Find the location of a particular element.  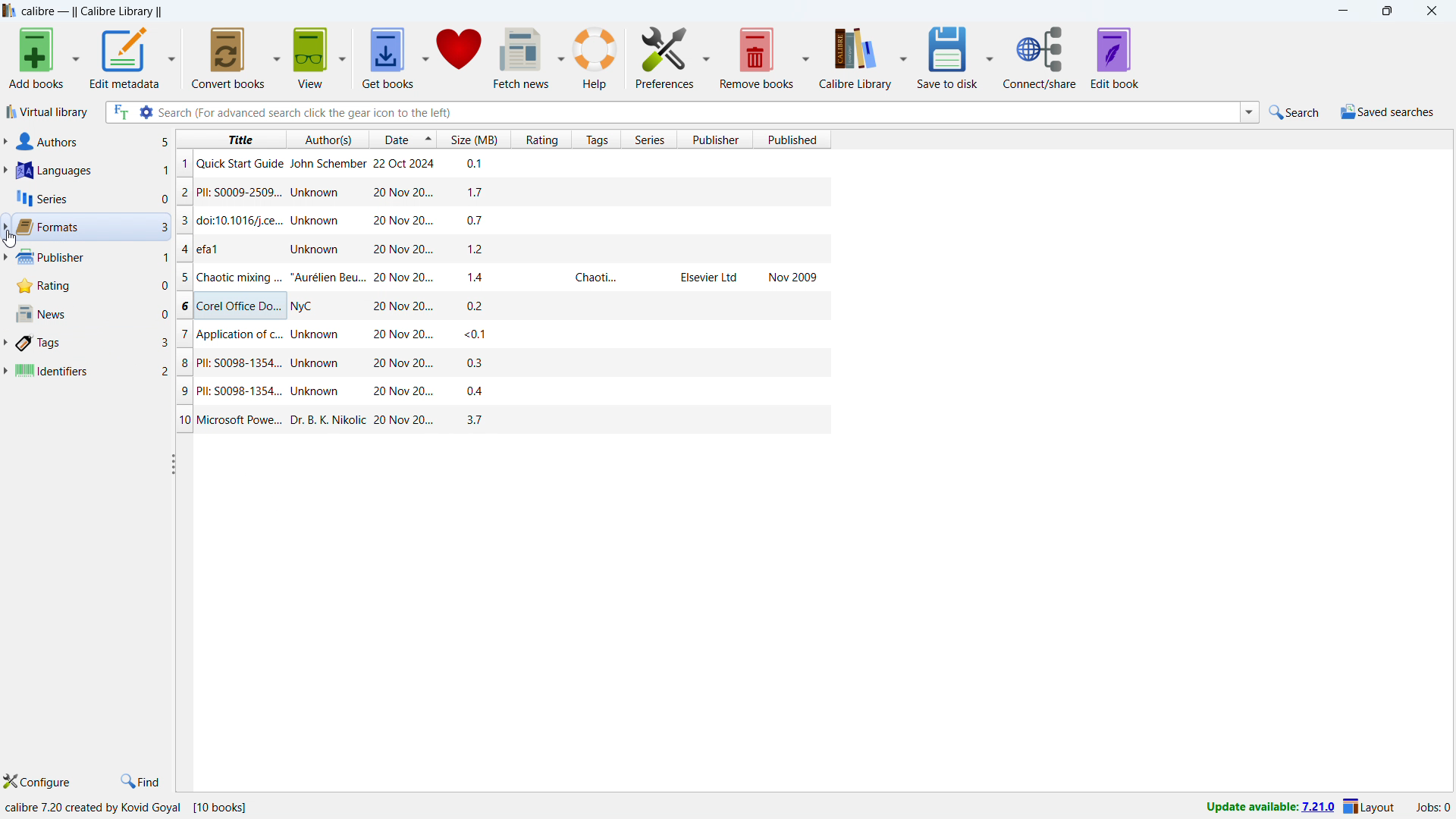

remove books is located at coordinates (757, 58).